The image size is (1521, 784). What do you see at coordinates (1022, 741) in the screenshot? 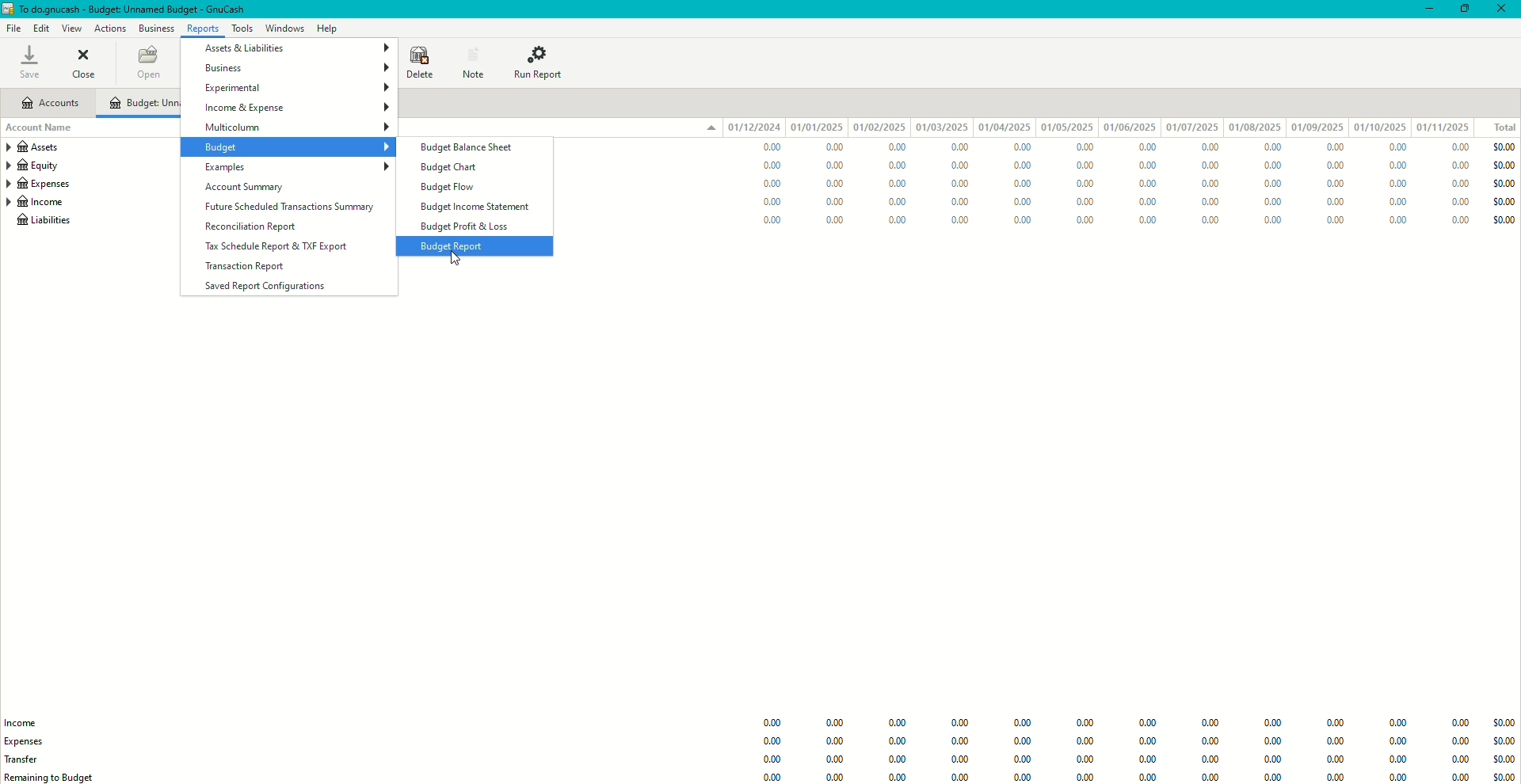
I see `0.00` at bounding box center [1022, 741].